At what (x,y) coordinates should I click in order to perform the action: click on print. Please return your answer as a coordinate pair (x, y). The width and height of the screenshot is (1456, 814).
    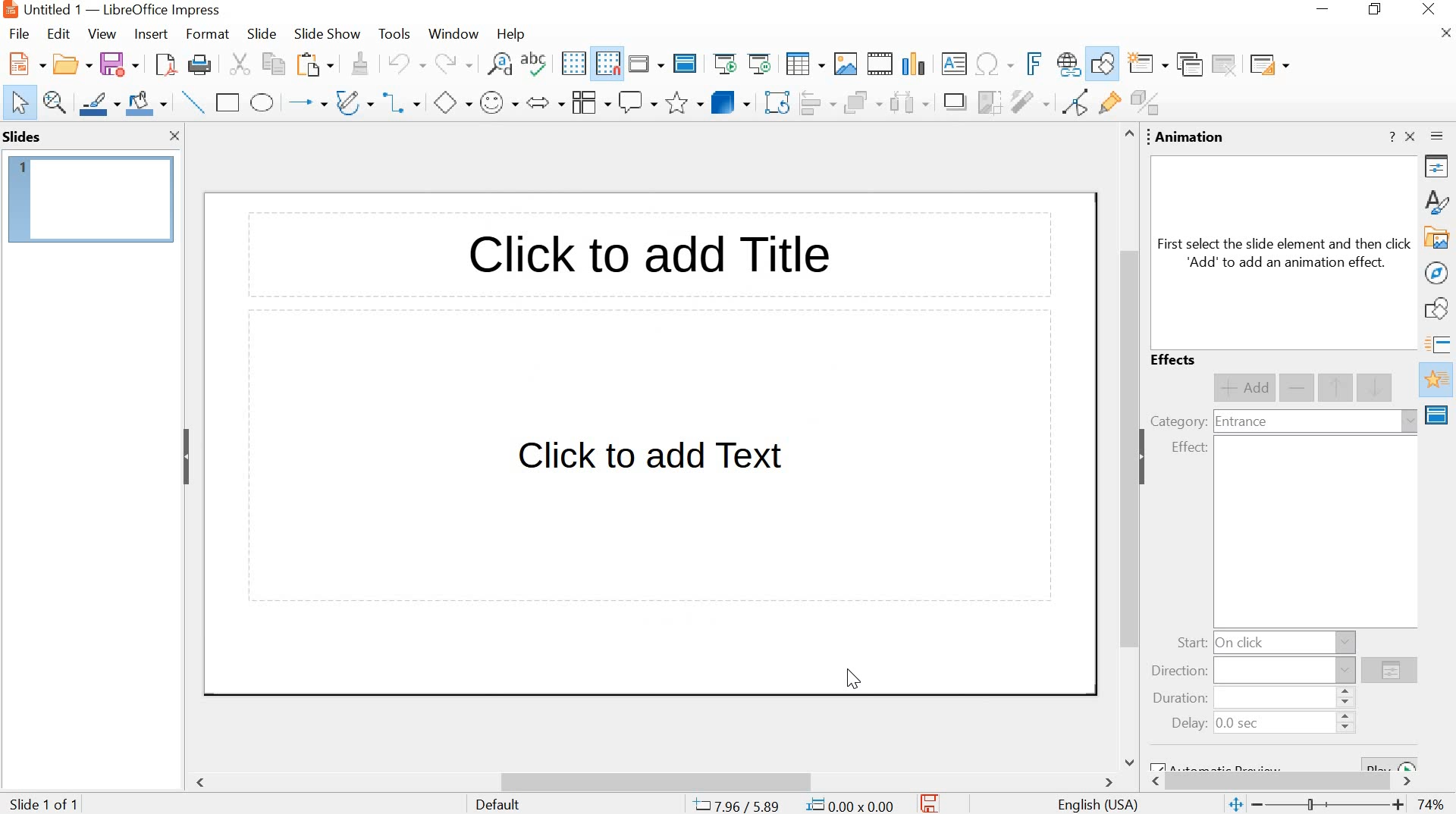
    Looking at the image, I should click on (199, 67).